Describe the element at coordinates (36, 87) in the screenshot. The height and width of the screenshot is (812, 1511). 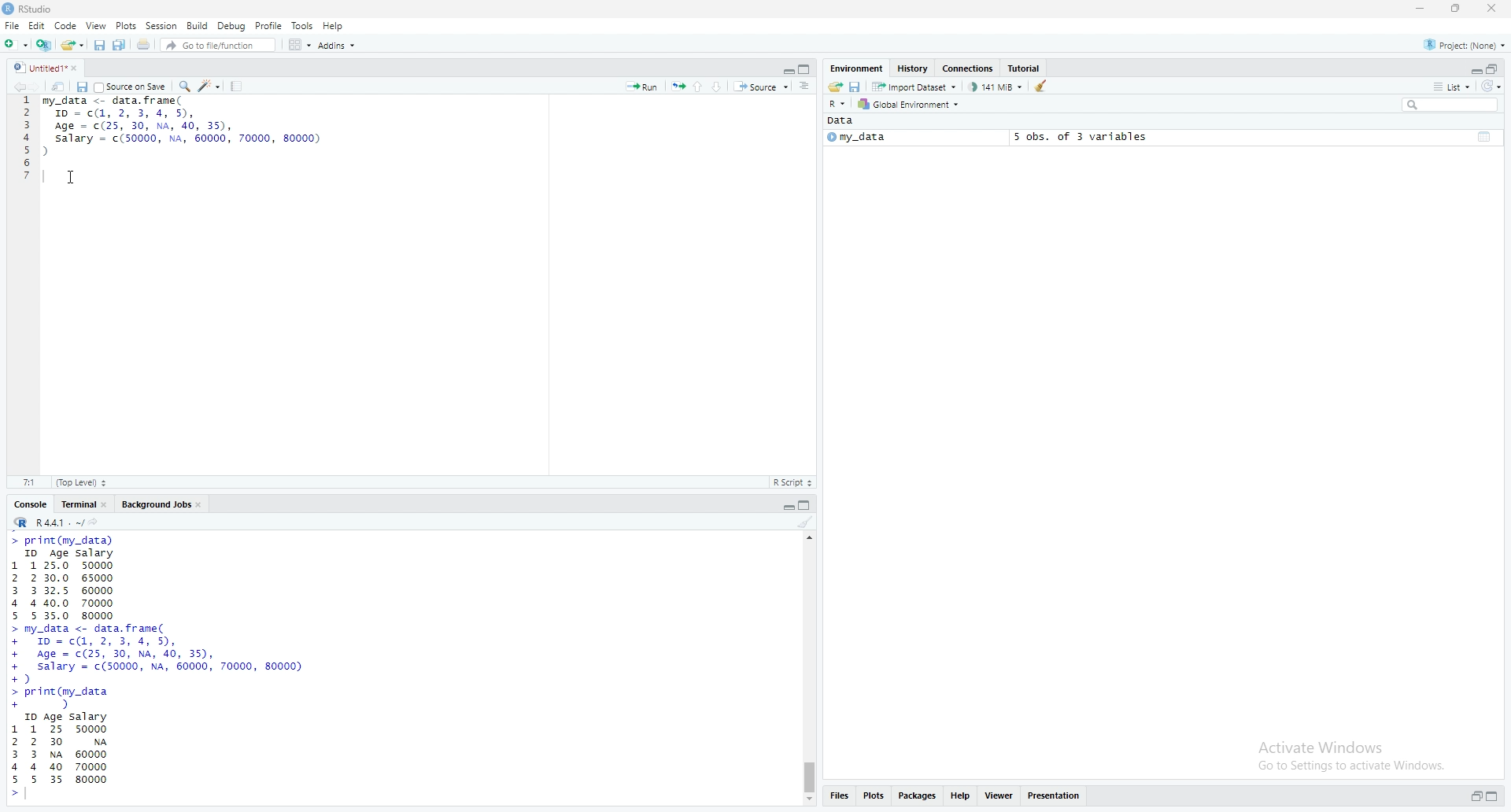
I see `go forward` at that location.